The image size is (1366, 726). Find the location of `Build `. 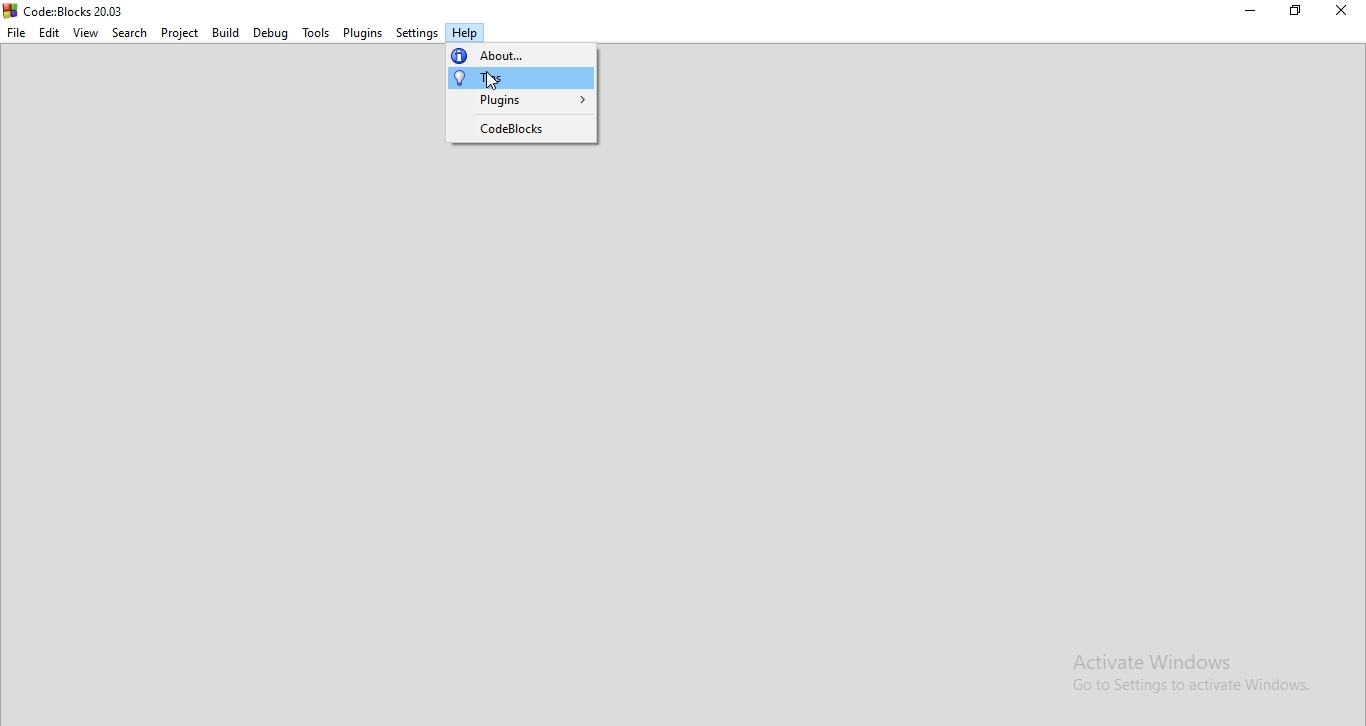

Build  is located at coordinates (225, 33).